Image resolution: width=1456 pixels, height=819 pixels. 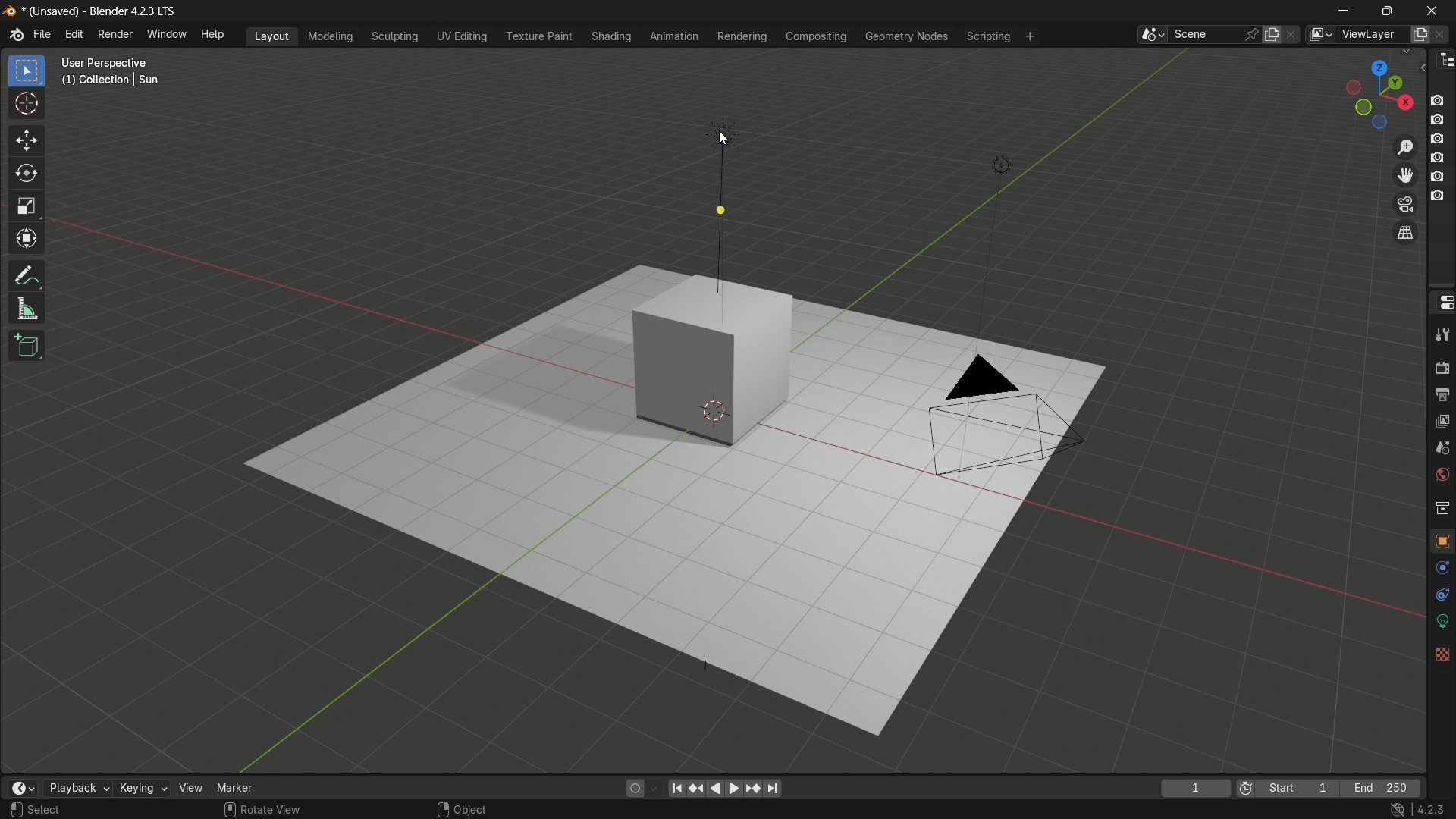 What do you see at coordinates (1420, 33) in the screenshot?
I see `add view layer` at bounding box center [1420, 33].